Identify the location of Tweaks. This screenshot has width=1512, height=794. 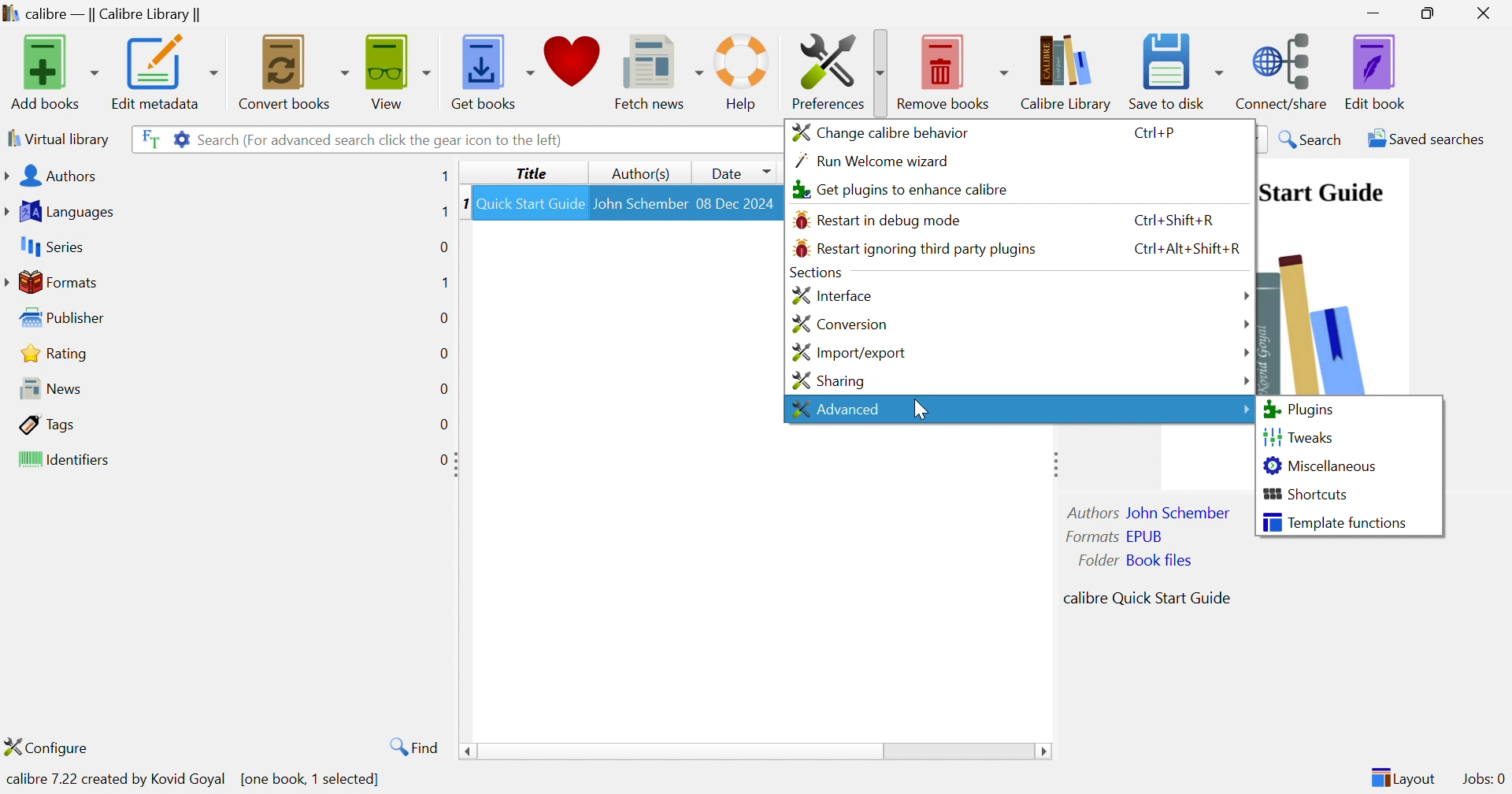
(1299, 435).